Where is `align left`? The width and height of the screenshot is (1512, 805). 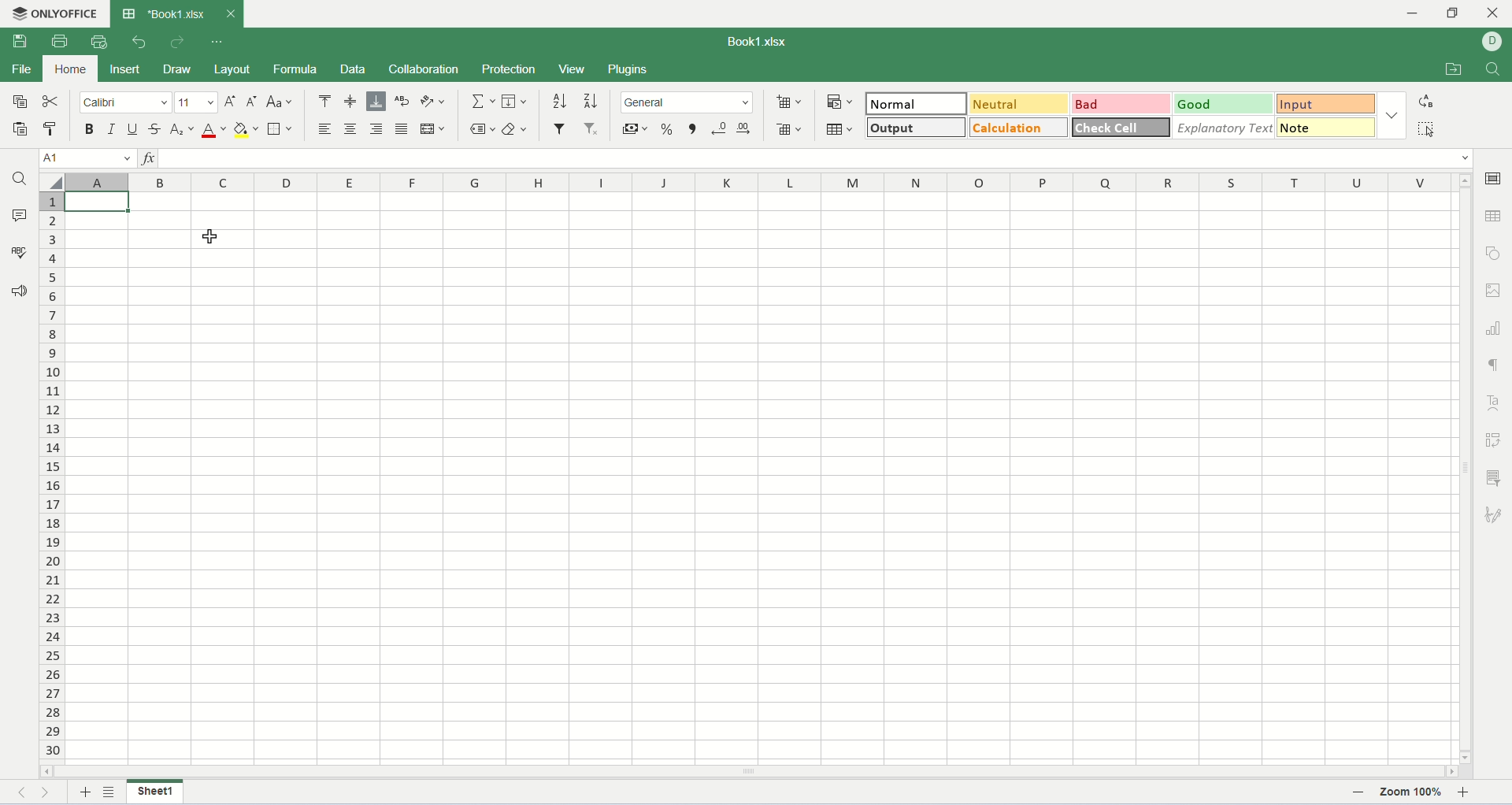
align left is located at coordinates (324, 128).